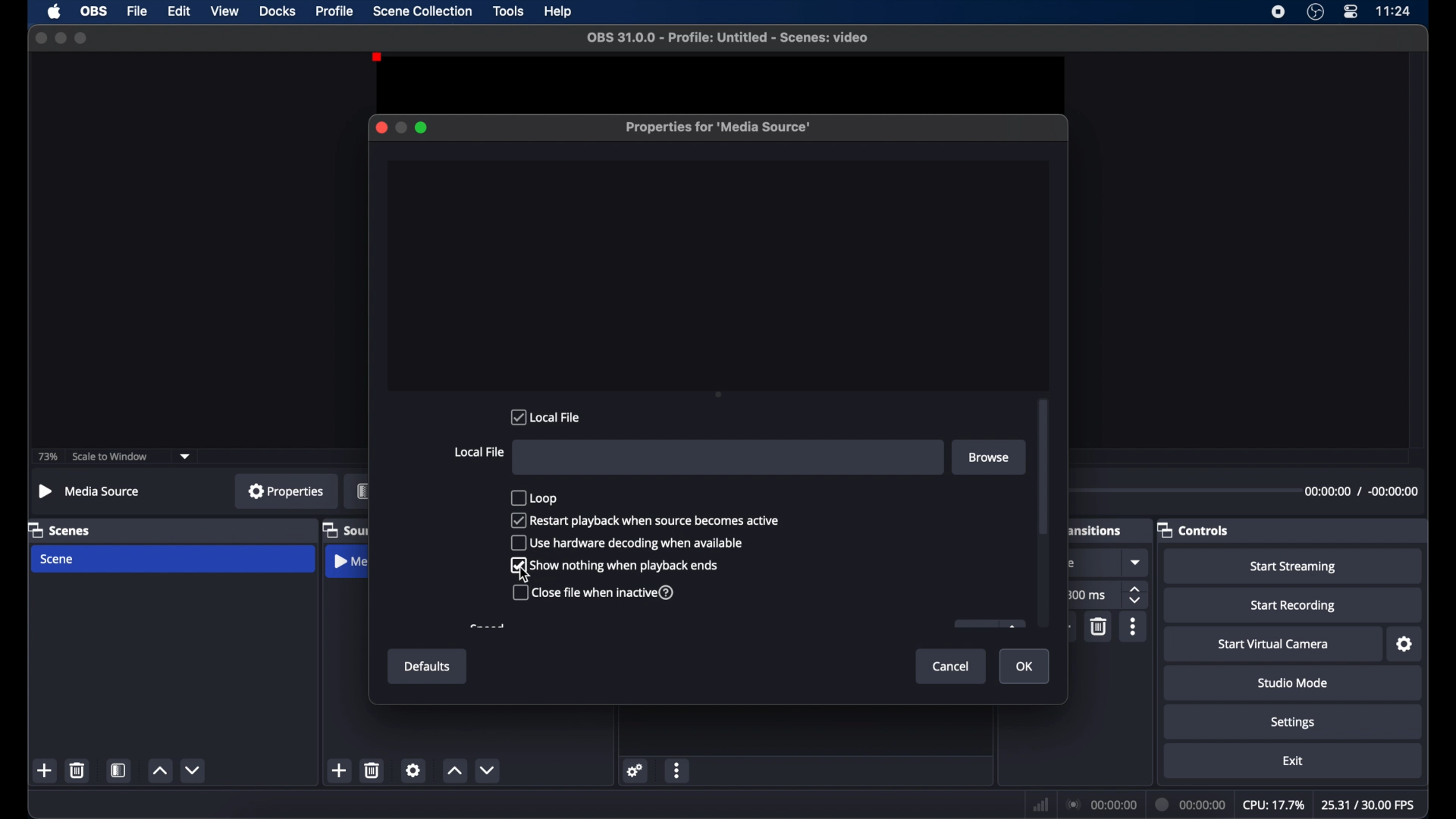 This screenshot has height=819, width=1456. What do you see at coordinates (118, 770) in the screenshot?
I see `scene filters` at bounding box center [118, 770].